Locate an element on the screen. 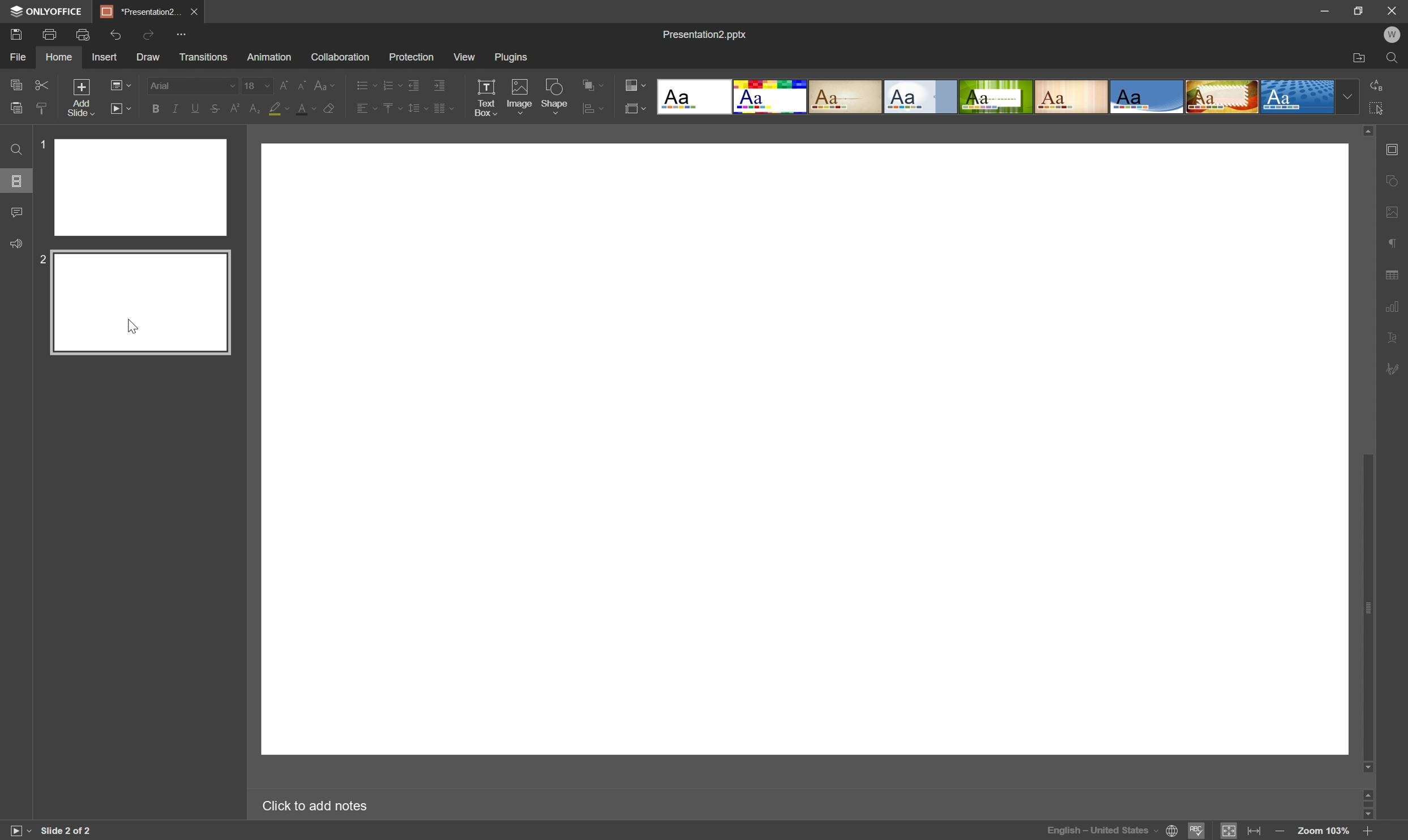 The image size is (1408, 840). Quick print is located at coordinates (84, 33).